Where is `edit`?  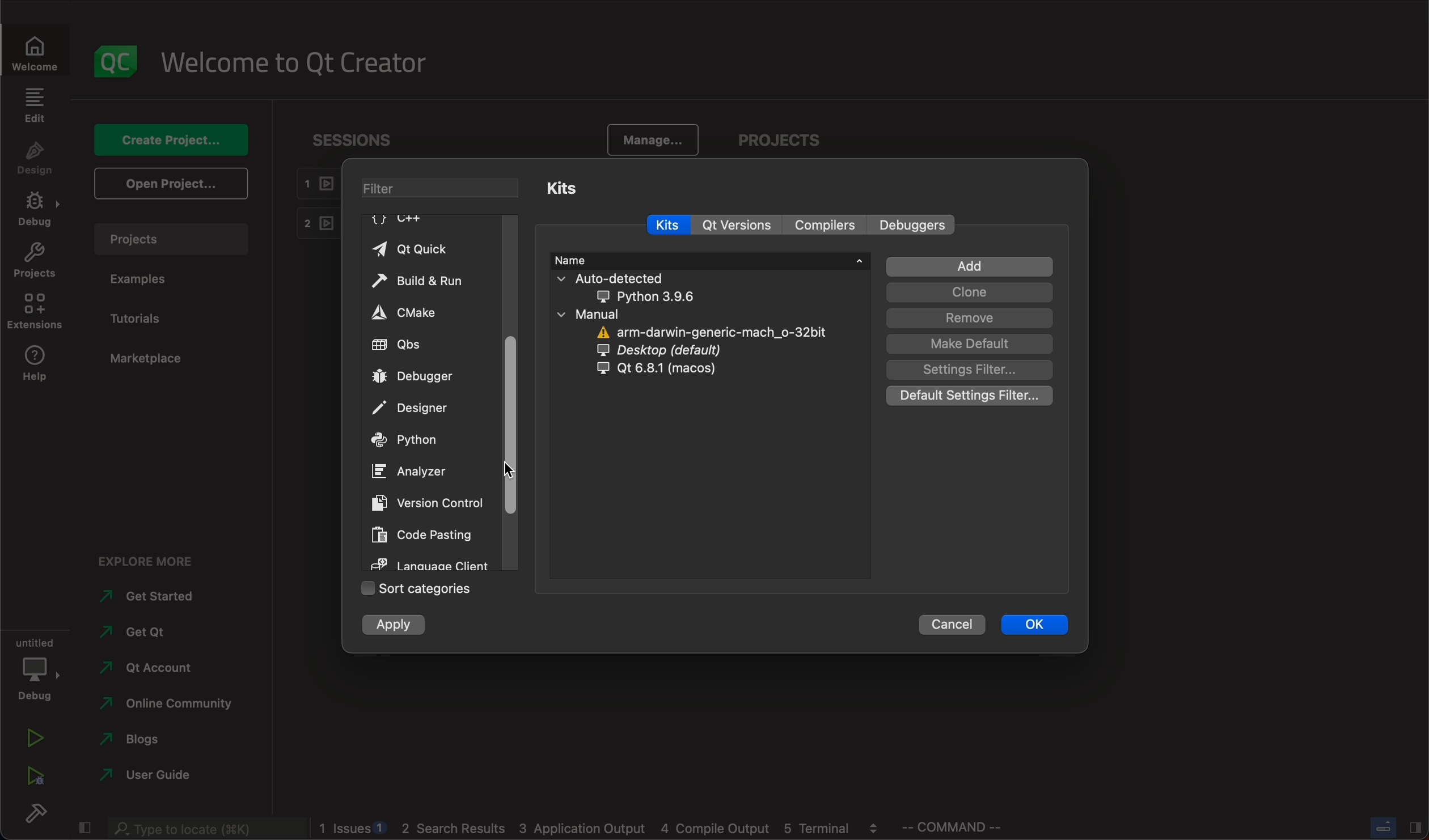
edit is located at coordinates (33, 106).